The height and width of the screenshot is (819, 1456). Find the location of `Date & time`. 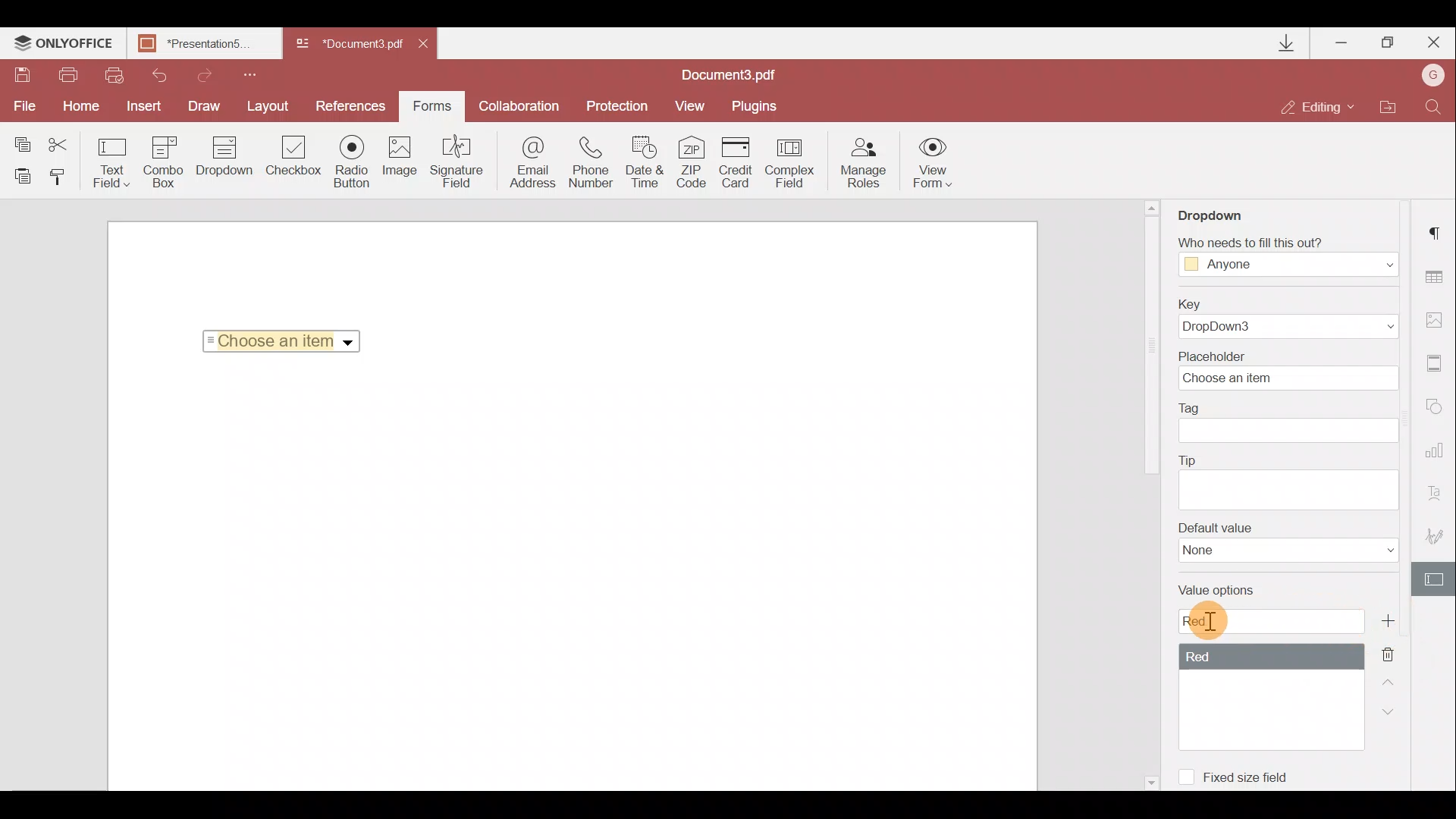

Date & time is located at coordinates (648, 162).